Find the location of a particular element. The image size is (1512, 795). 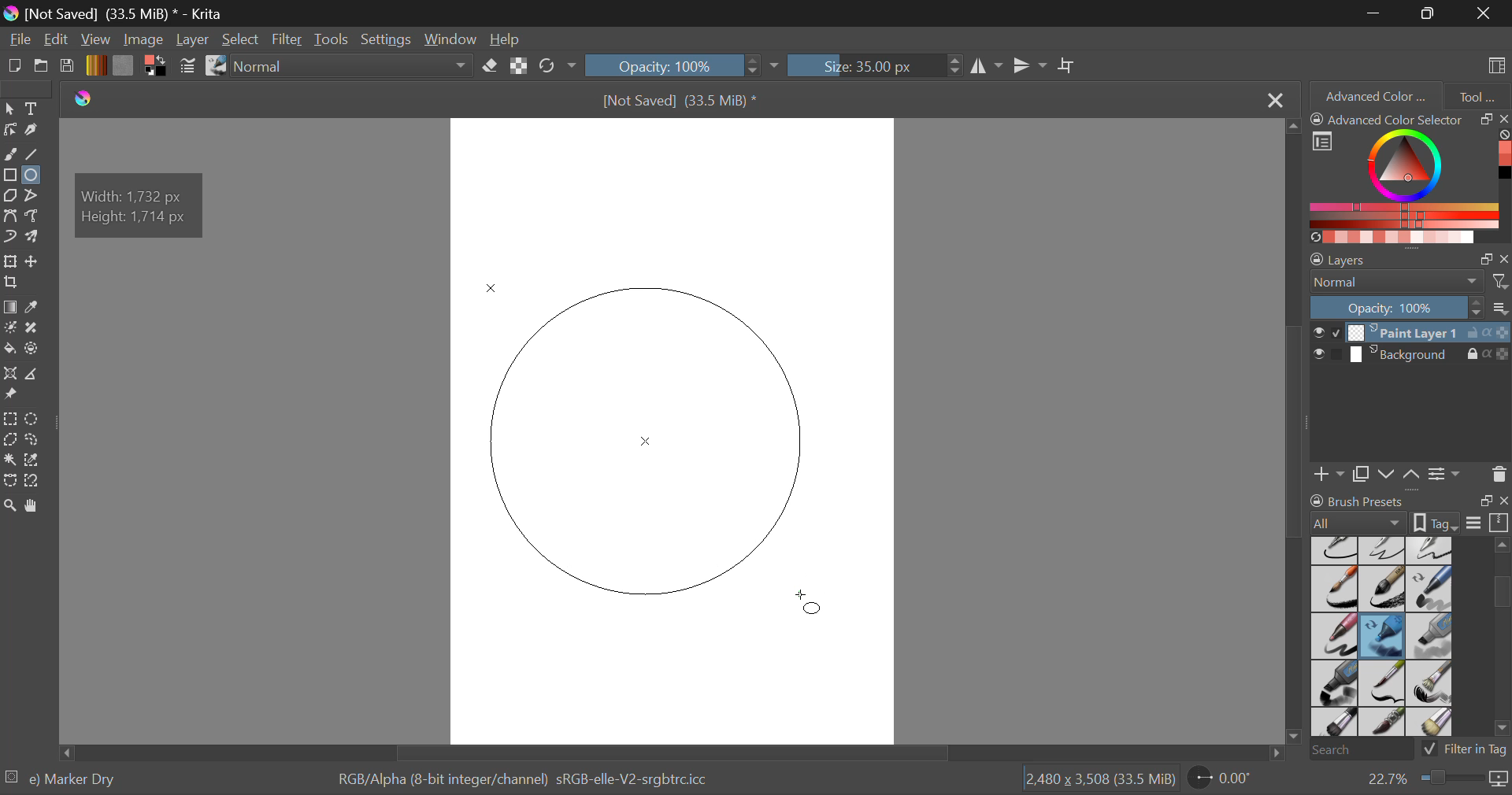

Advanced Color Selector Tab Open is located at coordinates (1374, 95).